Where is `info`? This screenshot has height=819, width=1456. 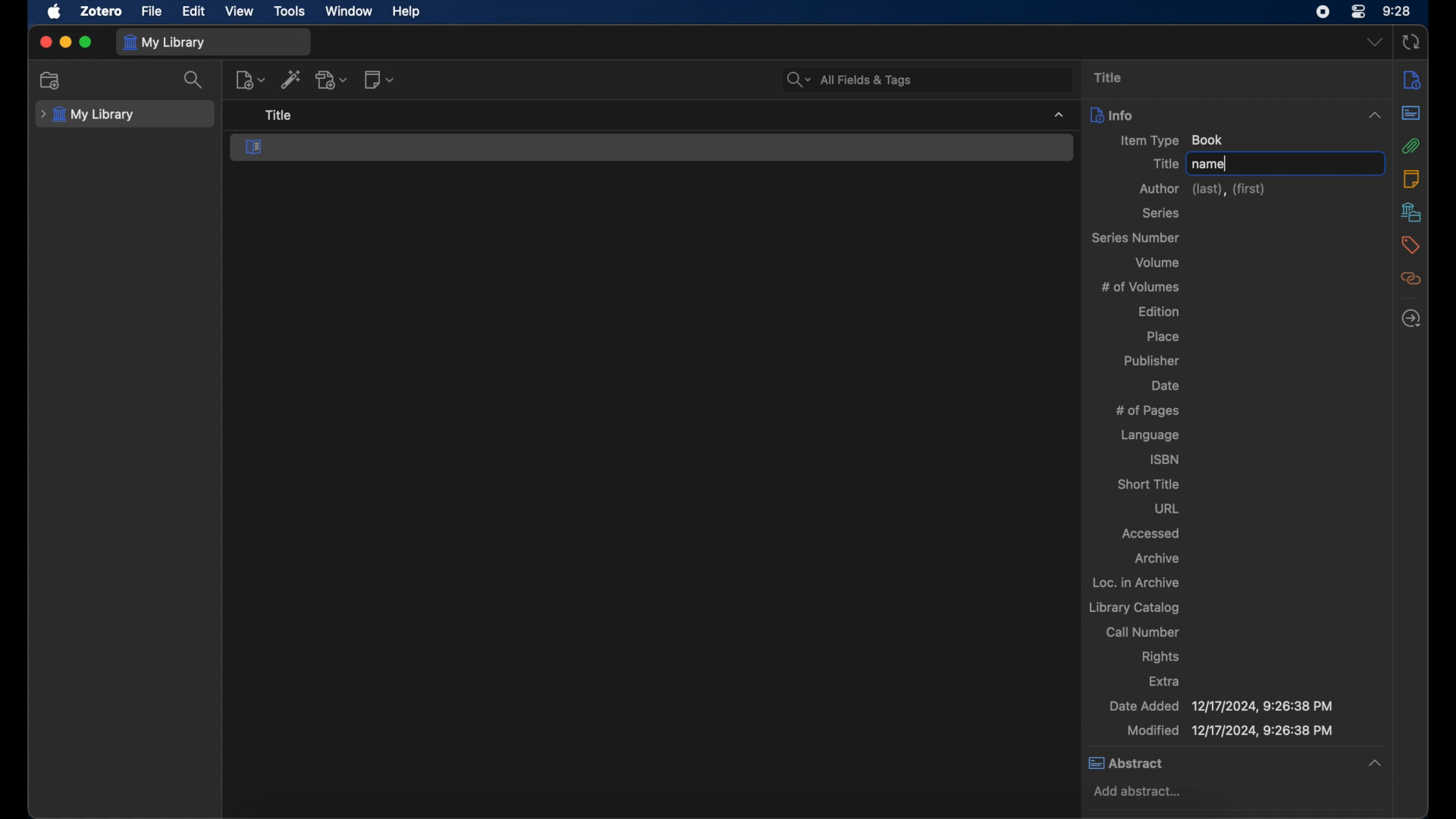 info is located at coordinates (1412, 79).